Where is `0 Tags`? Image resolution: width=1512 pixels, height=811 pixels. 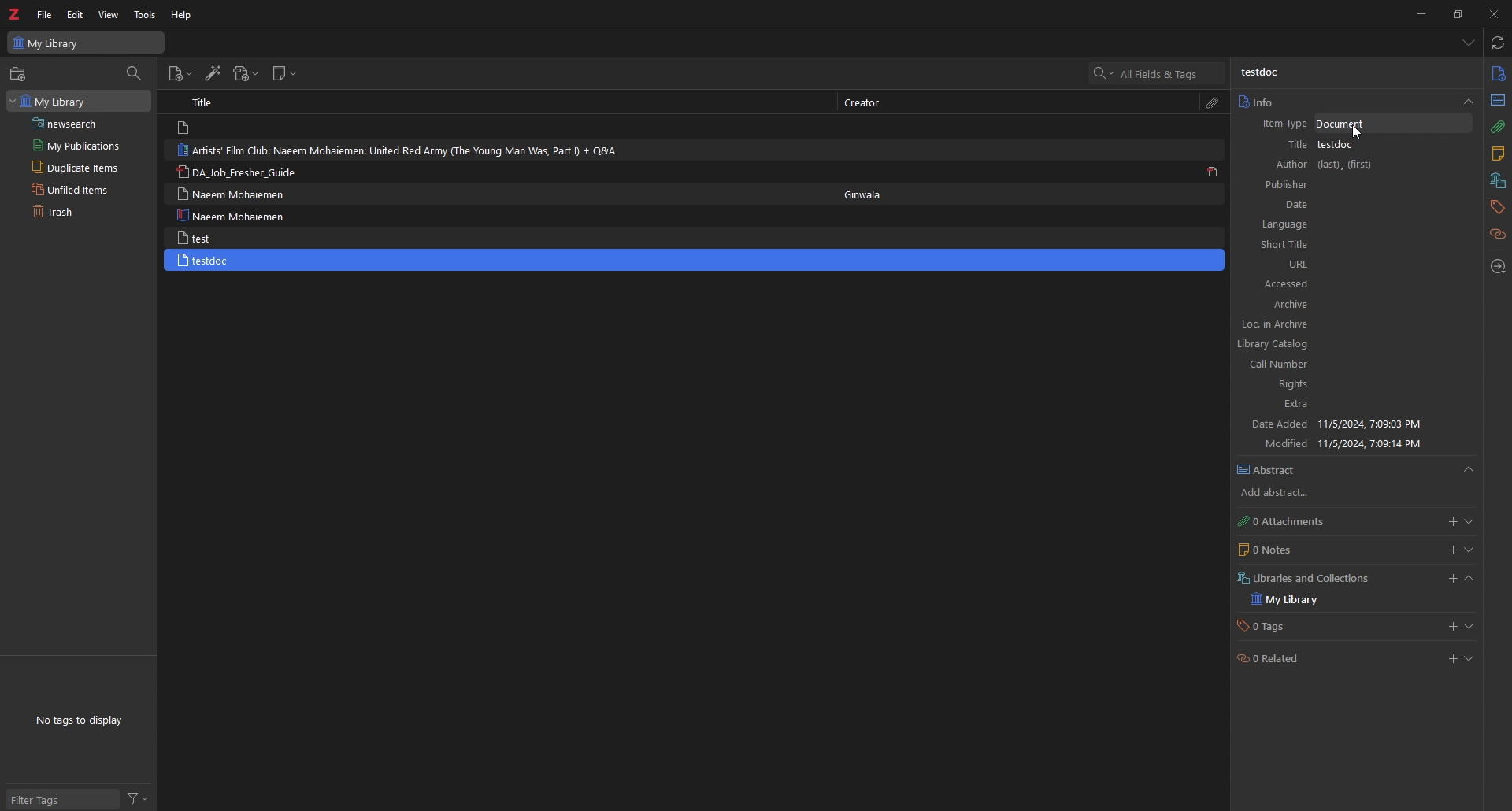
0 Tags is located at coordinates (1270, 627).